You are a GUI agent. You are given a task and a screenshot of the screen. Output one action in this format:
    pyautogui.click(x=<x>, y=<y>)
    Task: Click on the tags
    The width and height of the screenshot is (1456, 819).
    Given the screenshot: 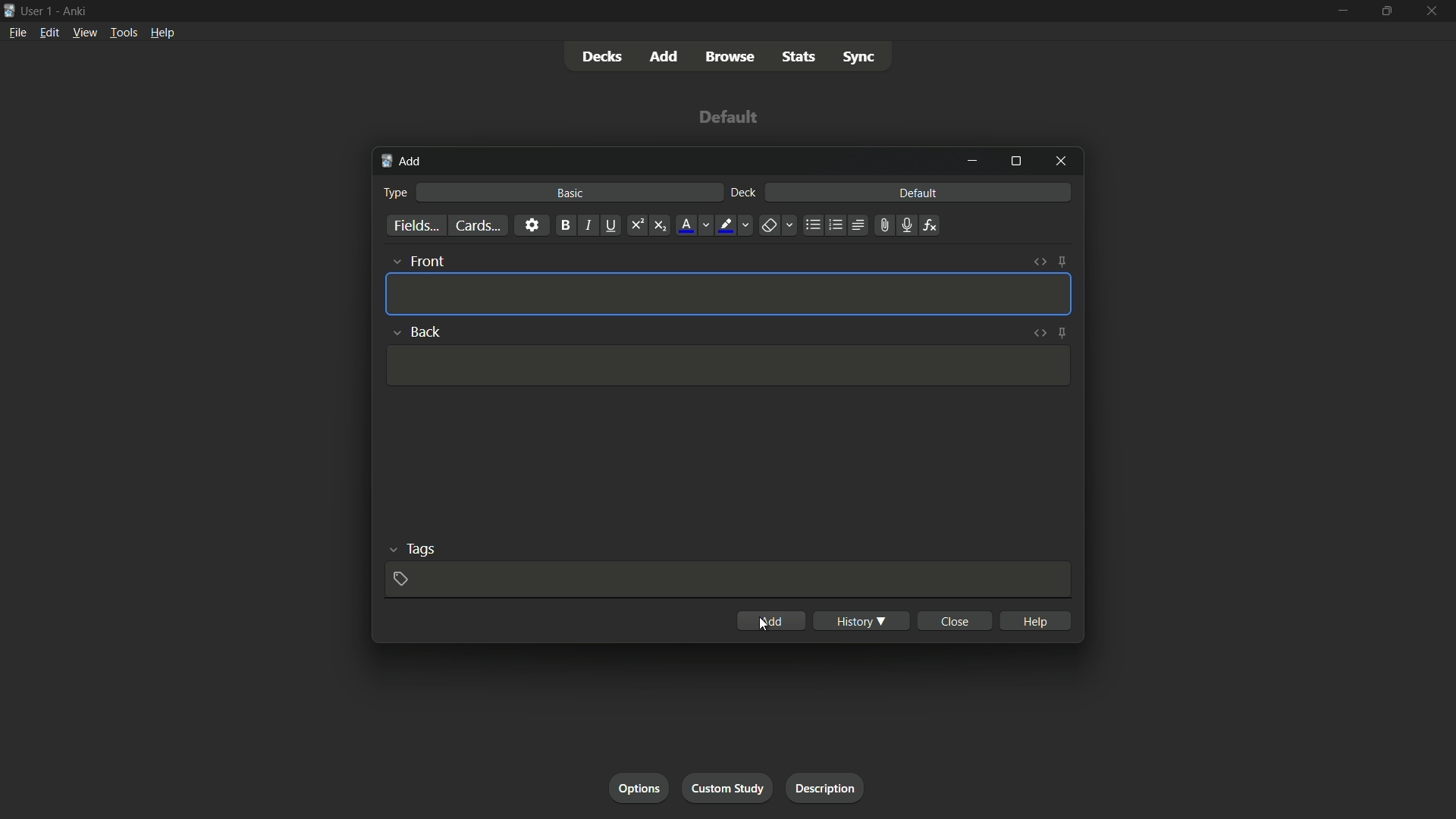 What is the action you would take?
    pyautogui.click(x=410, y=549)
    